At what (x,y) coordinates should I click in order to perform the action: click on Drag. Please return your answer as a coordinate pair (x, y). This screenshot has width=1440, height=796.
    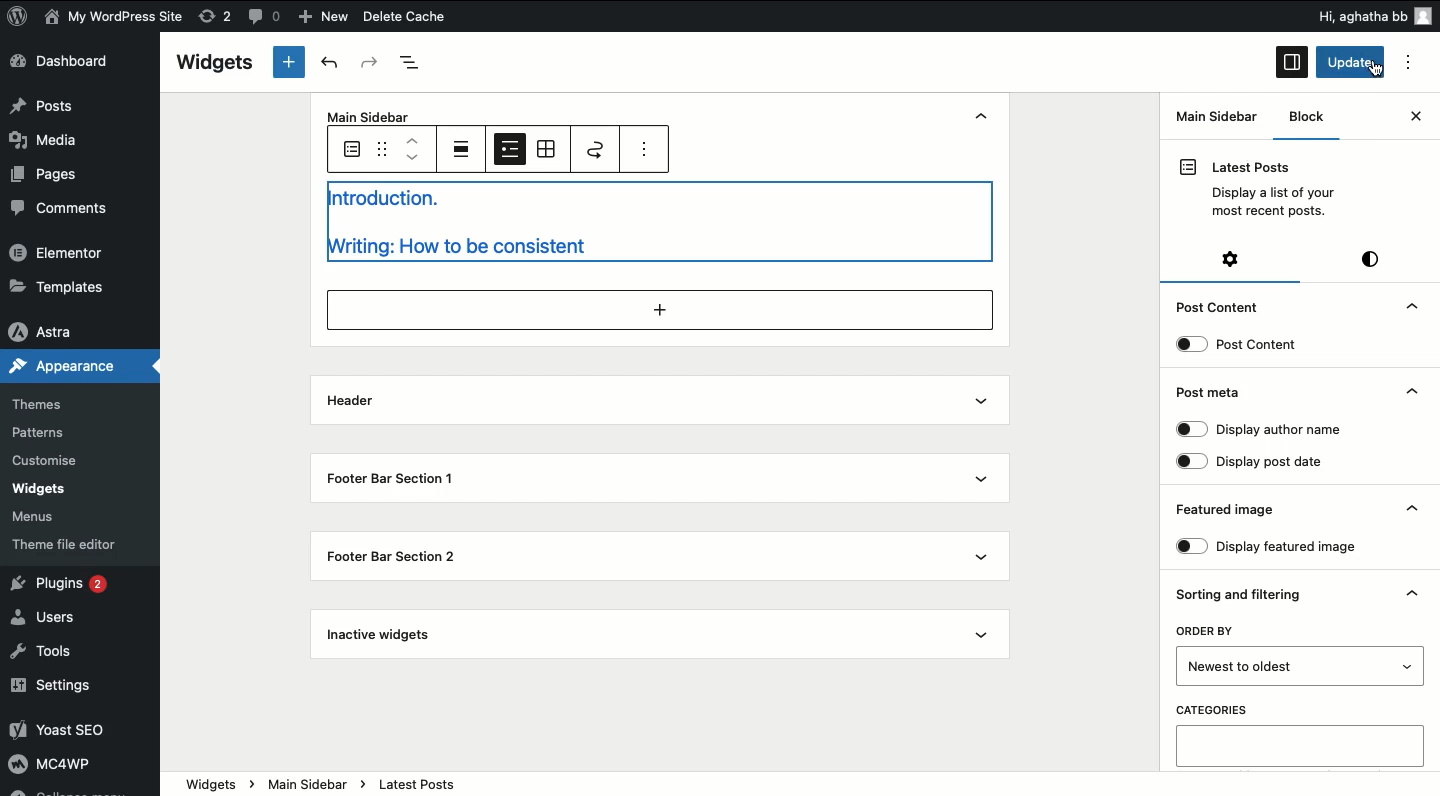
    Looking at the image, I should click on (383, 148).